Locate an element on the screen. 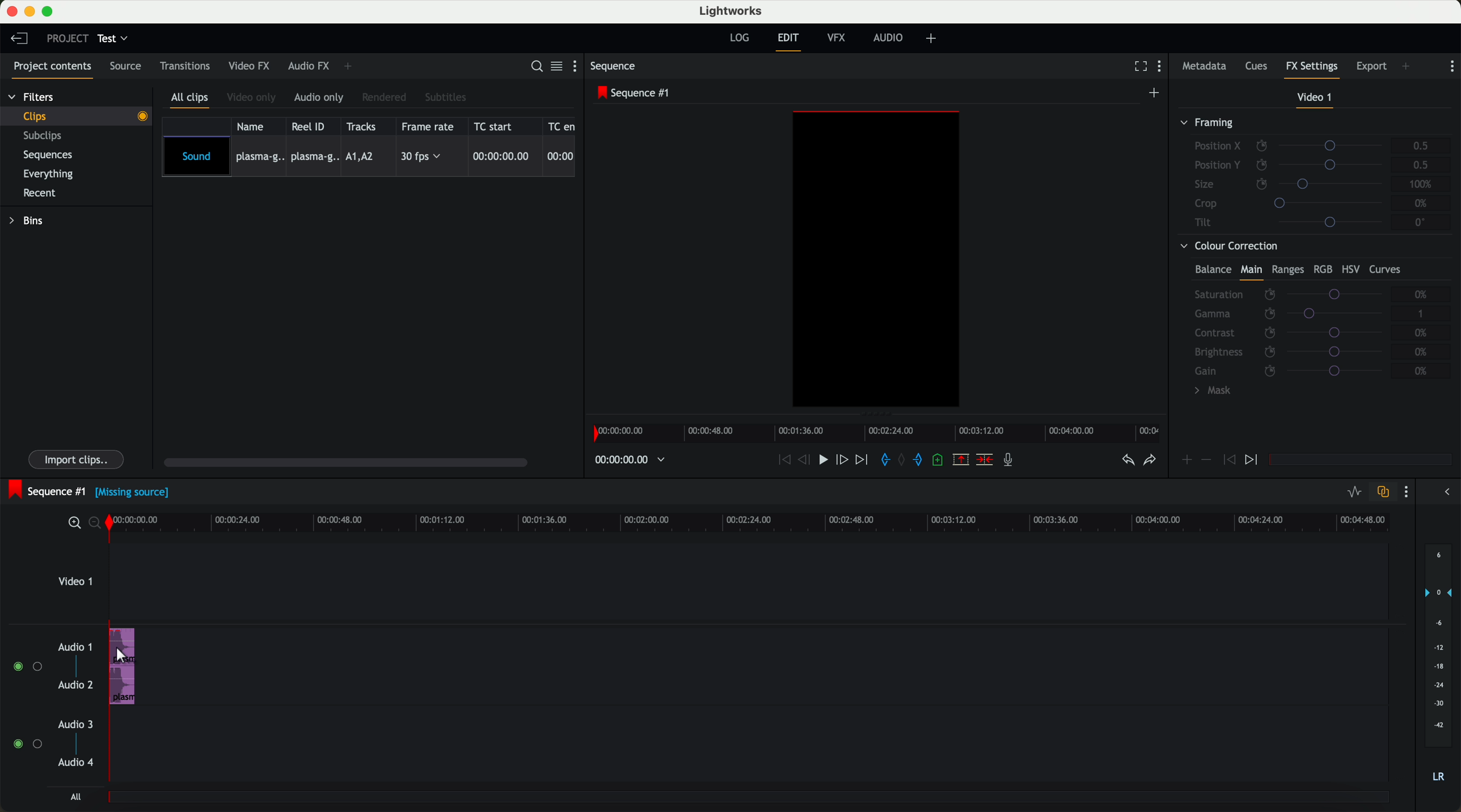 The image size is (1461, 812). scroll bar is located at coordinates (352, 464).